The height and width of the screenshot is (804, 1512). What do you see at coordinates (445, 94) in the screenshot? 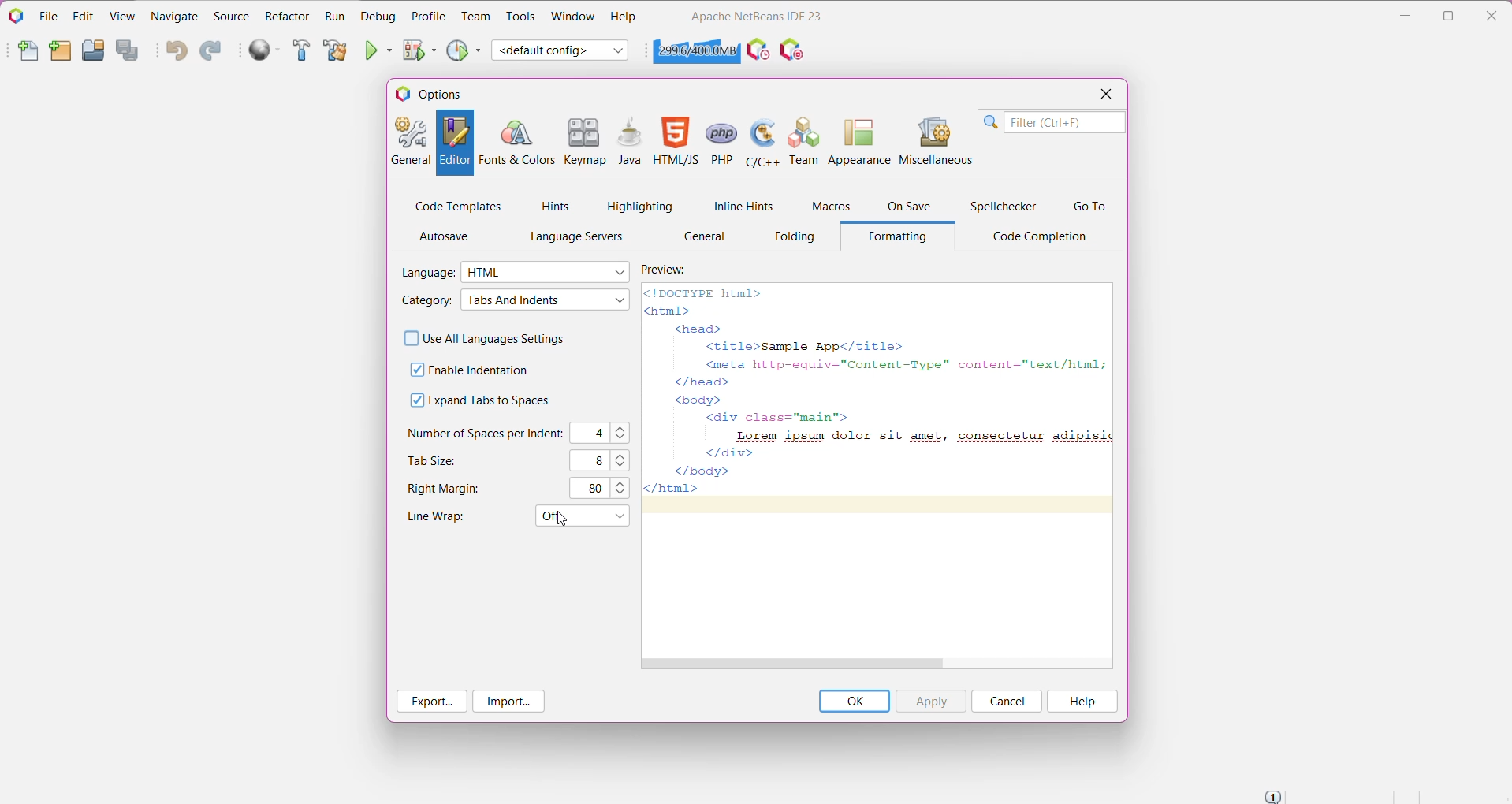
I see `Options` at bounding box center [445, 94].